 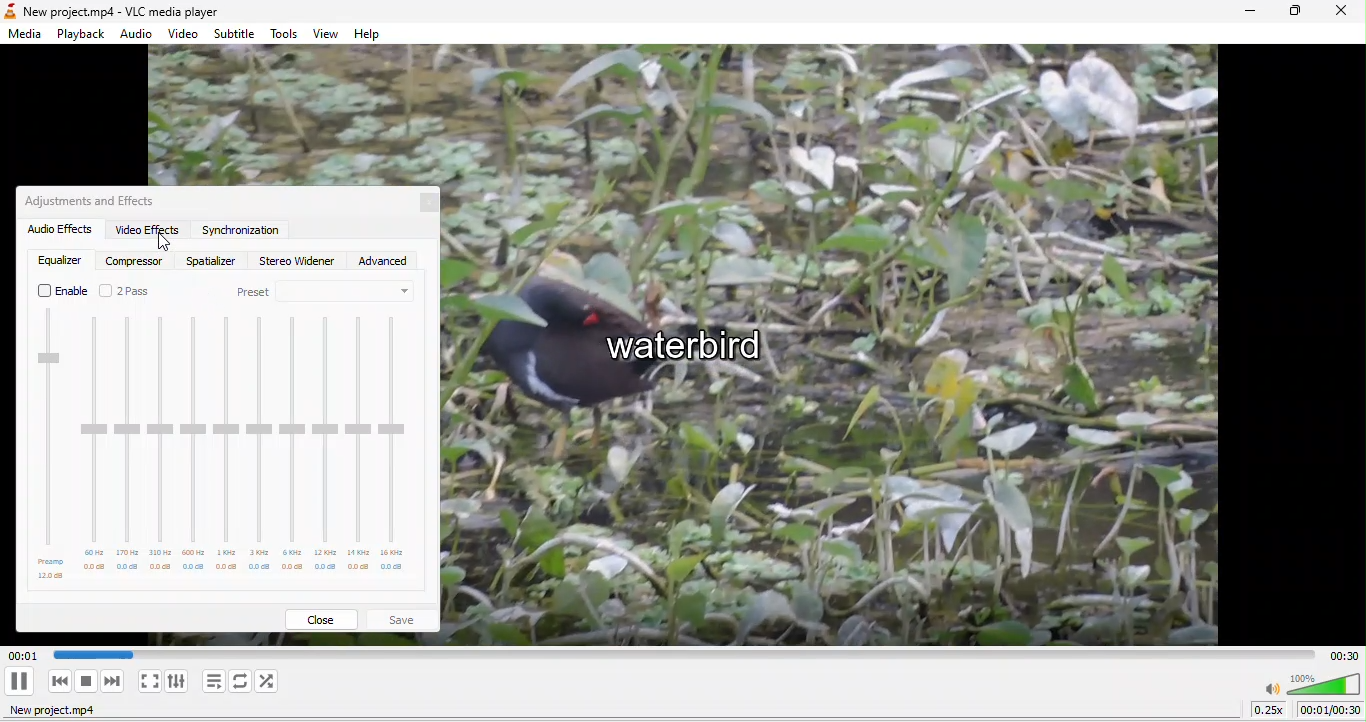 I want to click on synchronization, so click(x=241, y=232).